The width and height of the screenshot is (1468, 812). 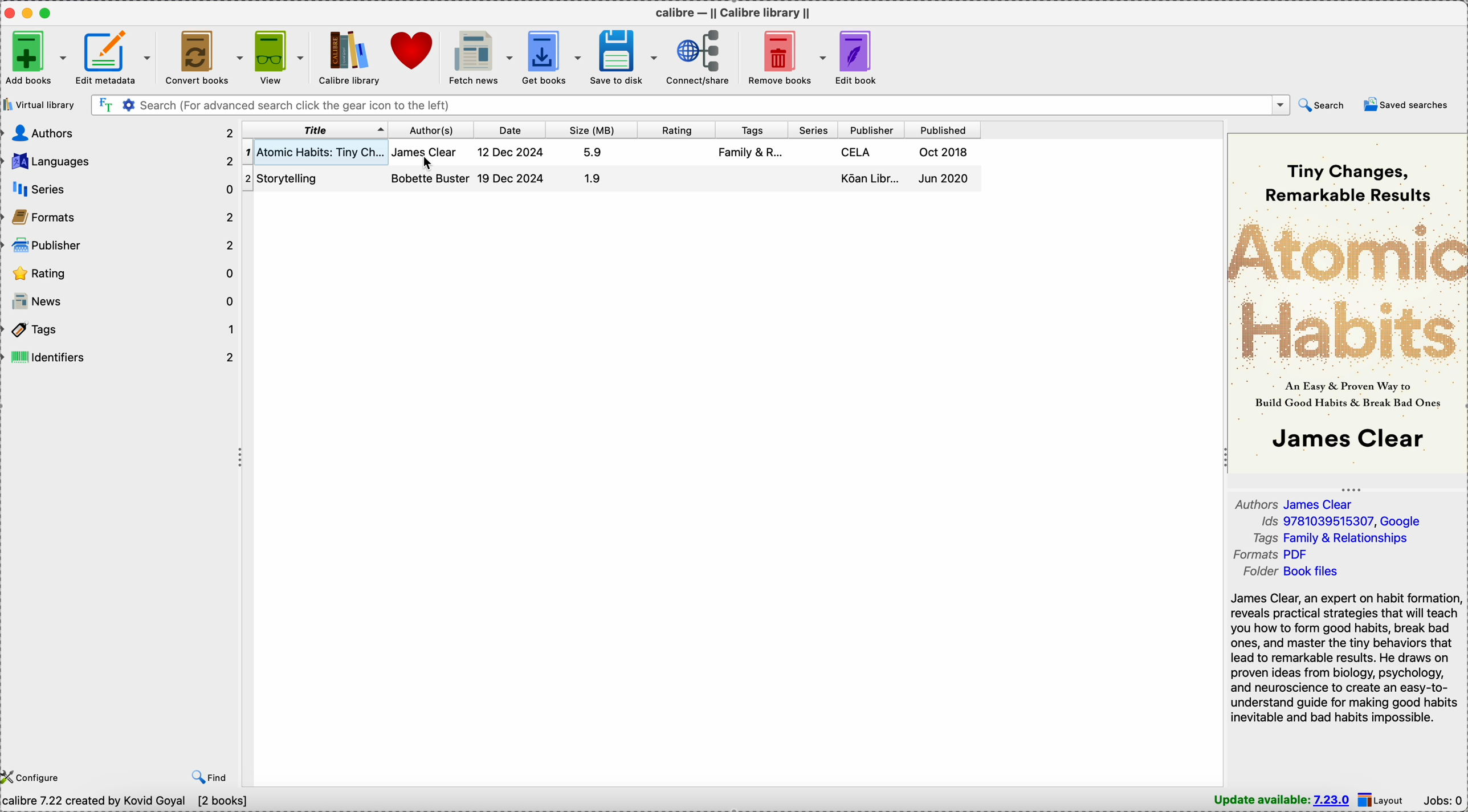 What do you see at coordinates (119, 58) in the screenshot?
I see `edit metadata` at bounding box center [119, 58].